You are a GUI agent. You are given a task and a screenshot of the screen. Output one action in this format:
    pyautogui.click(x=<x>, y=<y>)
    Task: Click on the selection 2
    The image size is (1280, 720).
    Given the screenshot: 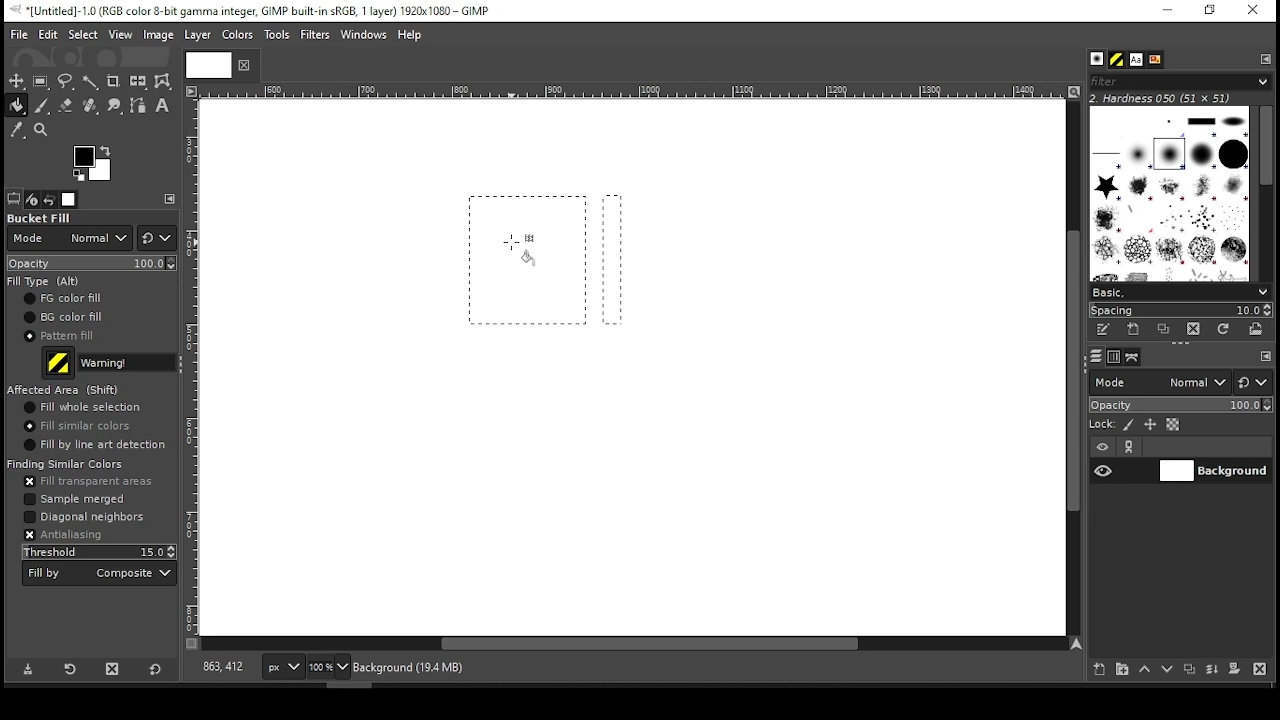 What is the action you would take?
    pyautogui.click(x=612, y=261)
    